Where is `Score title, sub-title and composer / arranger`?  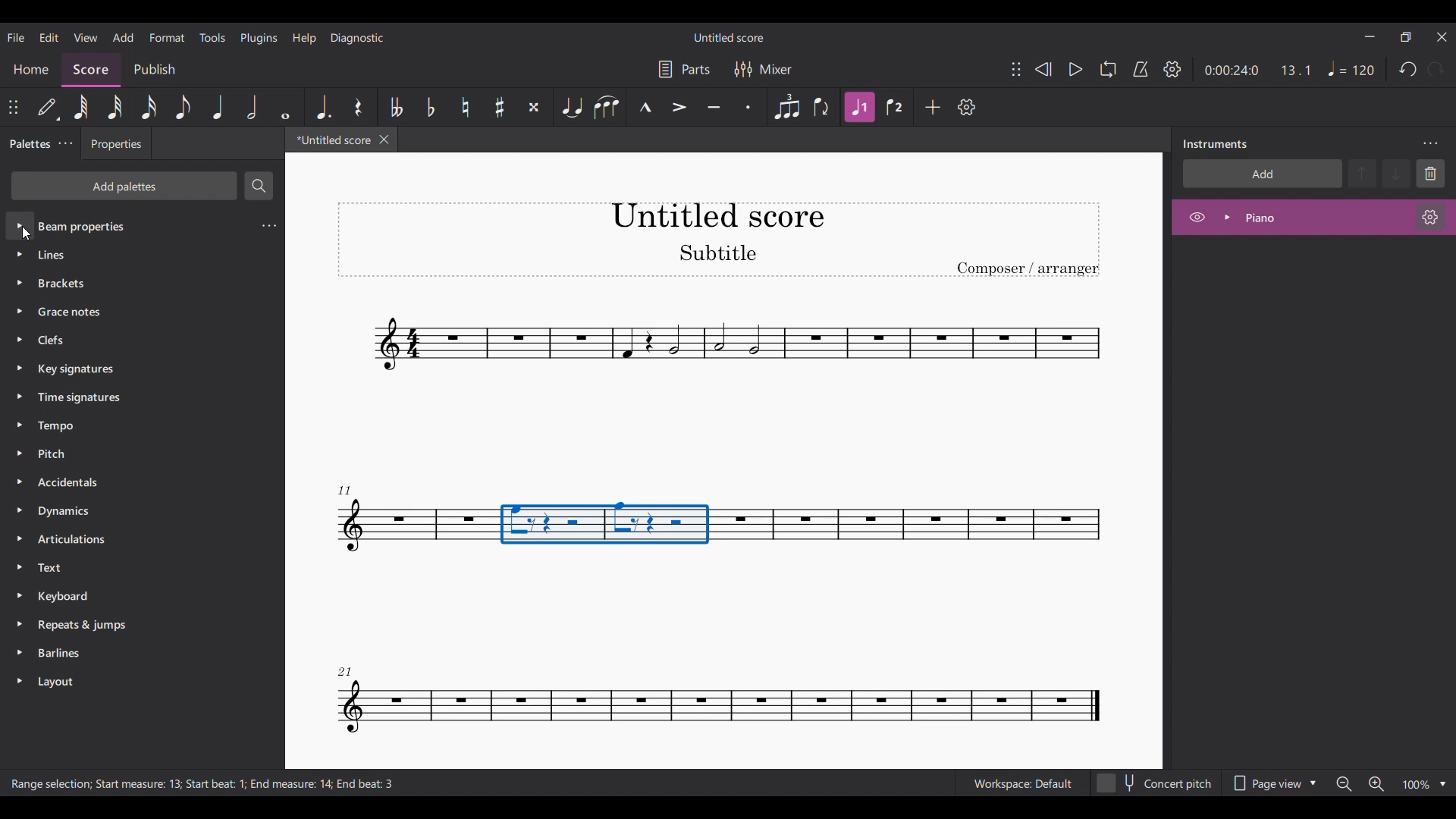 Score title, sub-title and composer / arranger is located at coordinates (718, 240).